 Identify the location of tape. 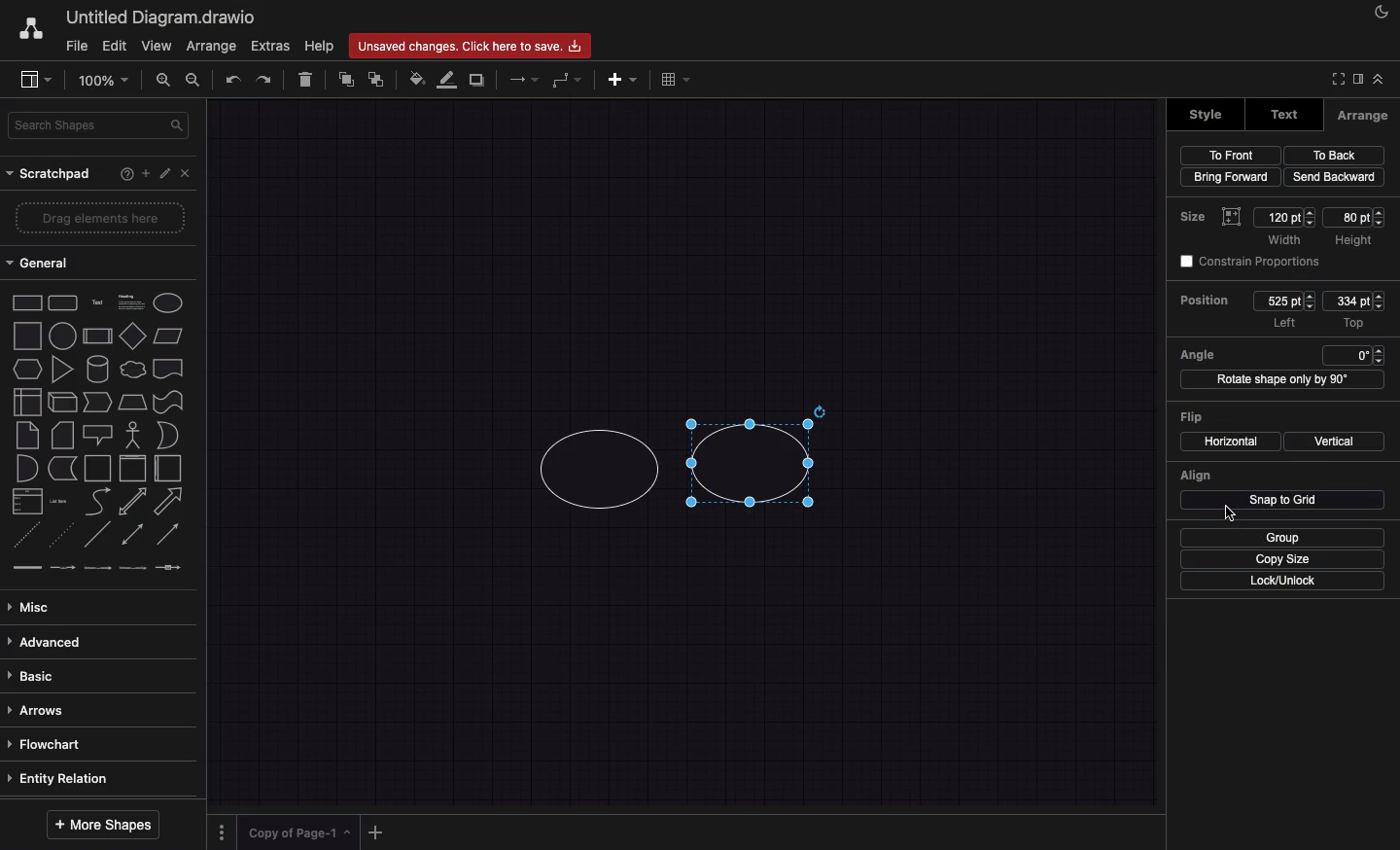
(169, 402).